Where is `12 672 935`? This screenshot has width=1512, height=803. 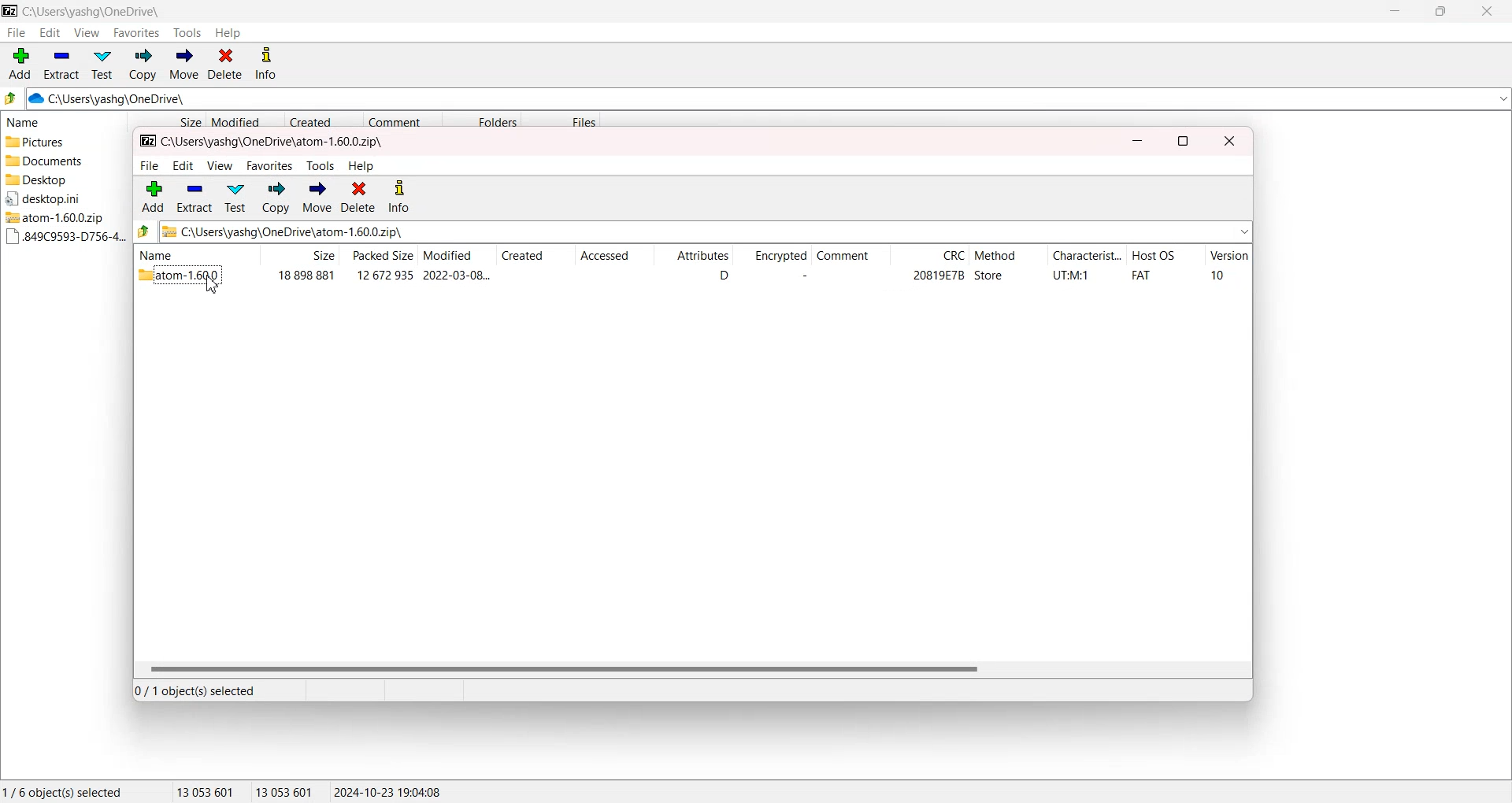 12 672 935 is located at coordinates (385, 275).